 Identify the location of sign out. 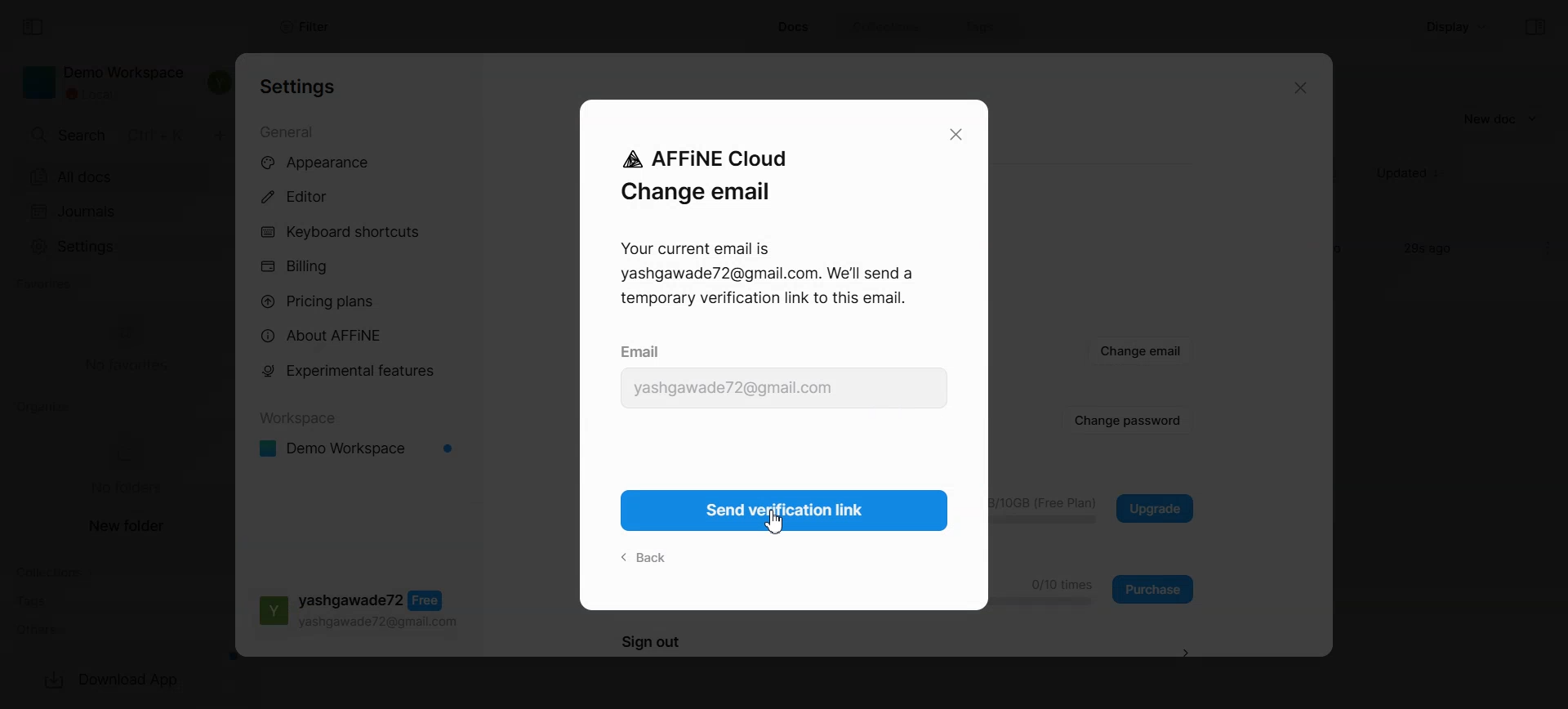
(651, 644).